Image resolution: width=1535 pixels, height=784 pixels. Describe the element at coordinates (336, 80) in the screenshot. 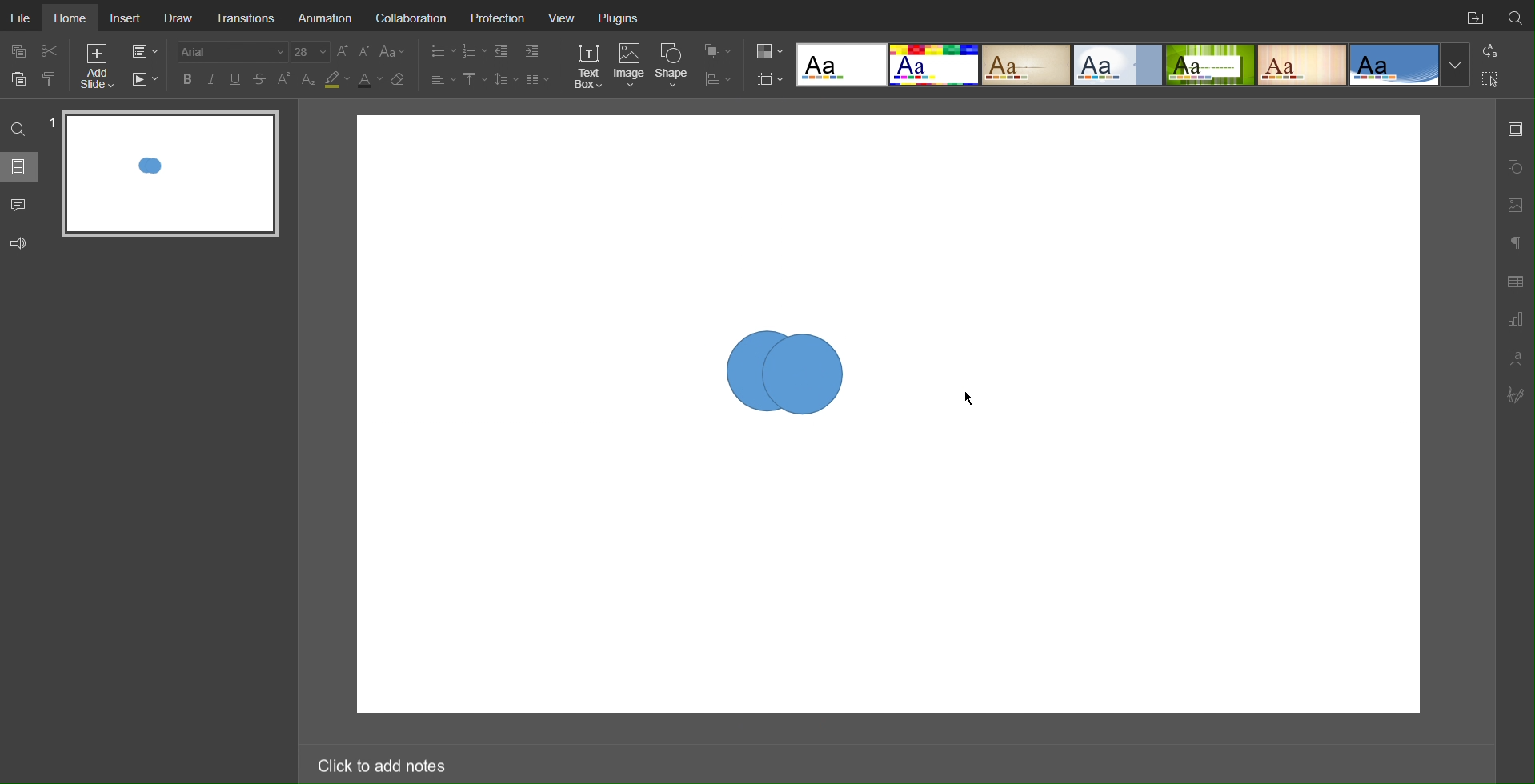

I see `Highlight` at that location.